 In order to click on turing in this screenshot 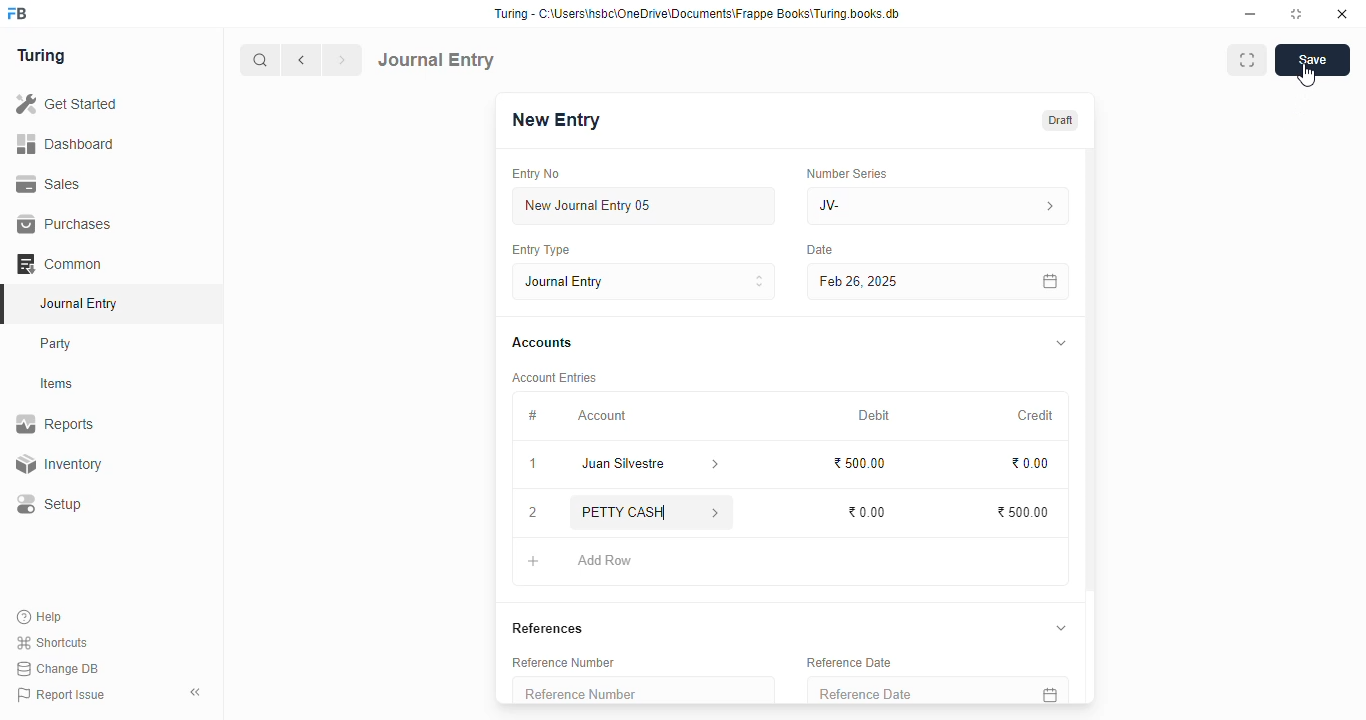, I will do `click(42, 57)`.